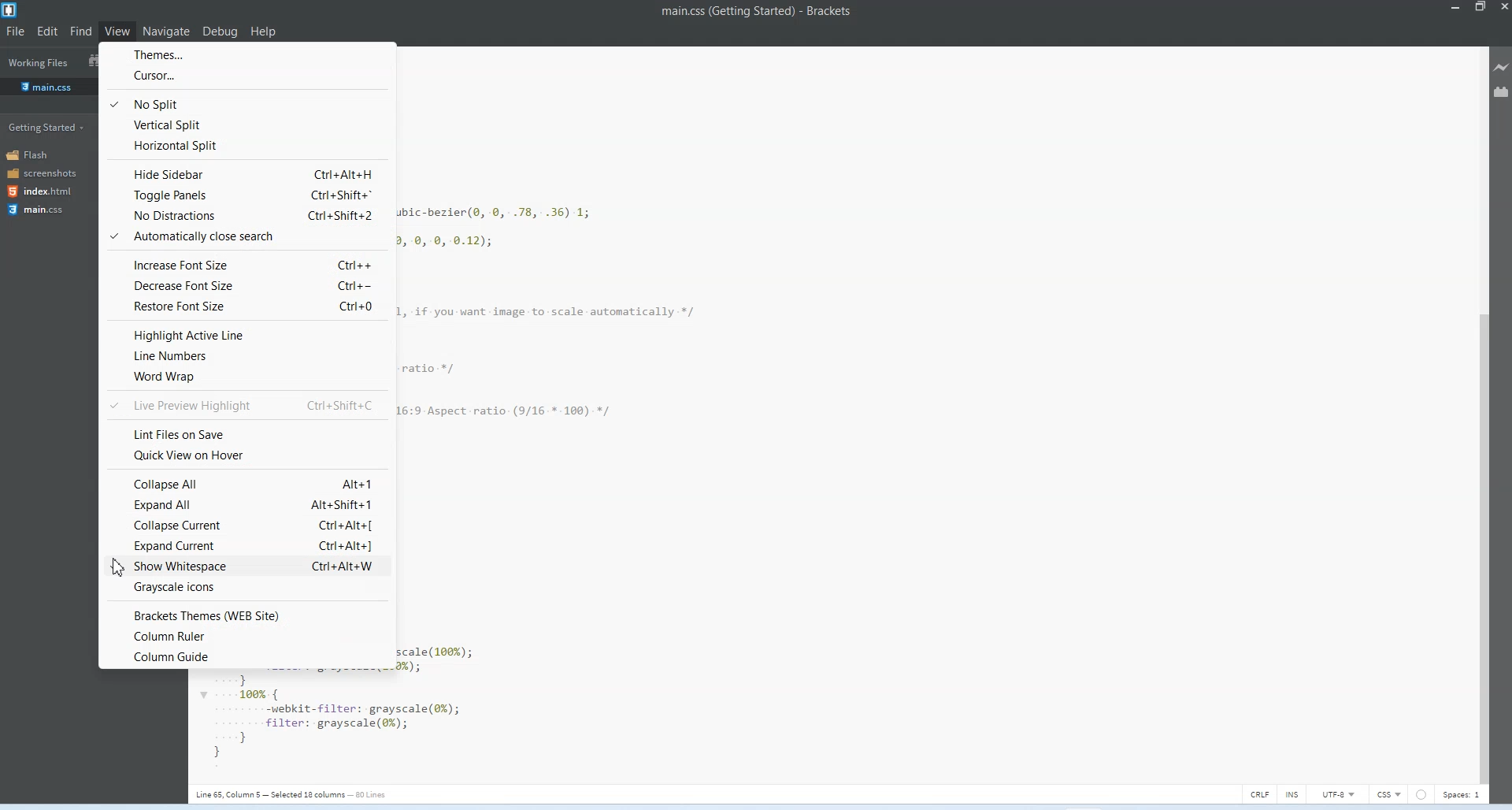 The width and height of the screenshot is (1512, 810). I want to click on Live preview highlight, so click(245, 404).